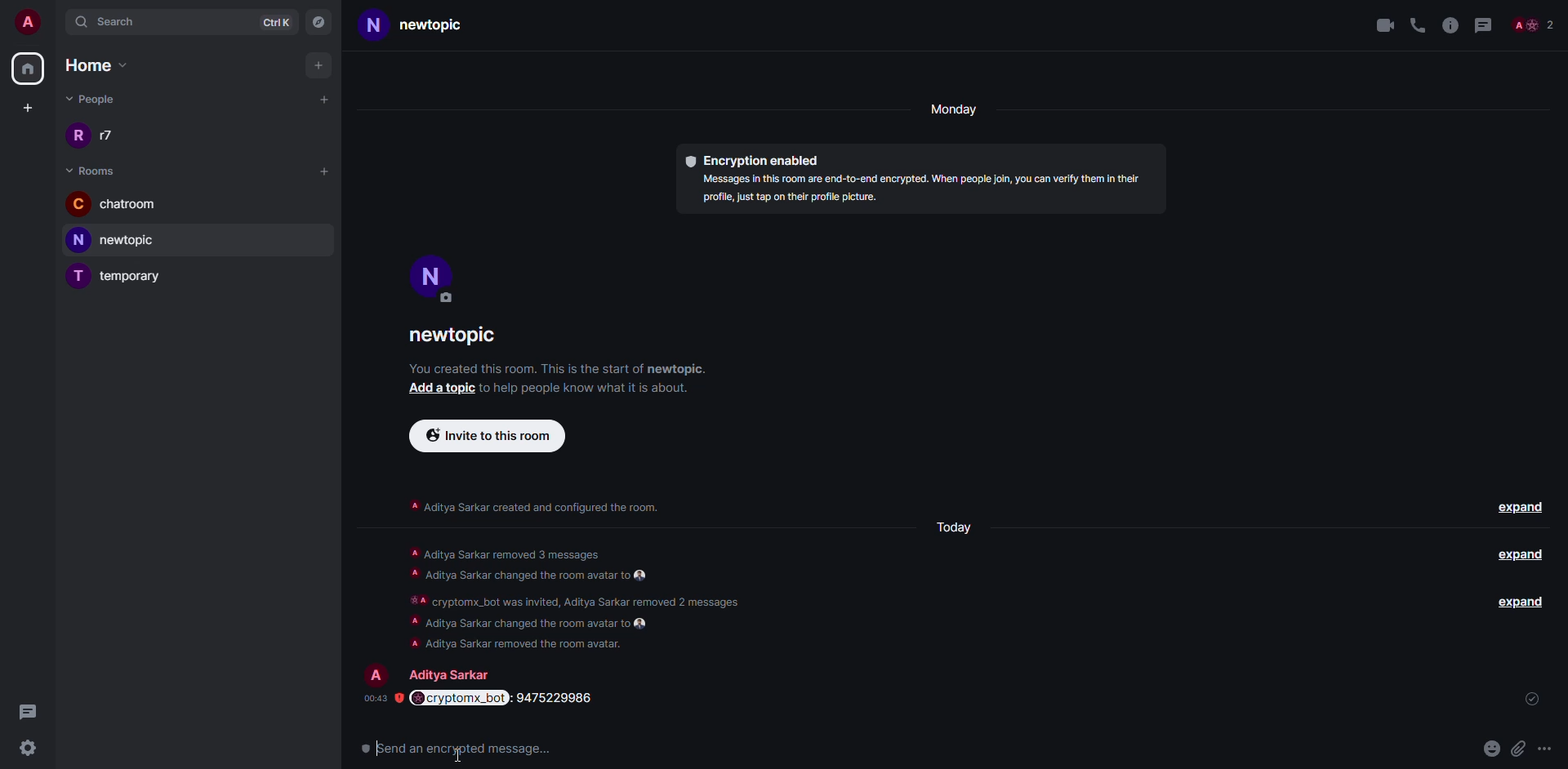 The image size is (1568, 769). Describe the element at coordinates (116, 206) in the screenshot. I see `chatroom` at that location.